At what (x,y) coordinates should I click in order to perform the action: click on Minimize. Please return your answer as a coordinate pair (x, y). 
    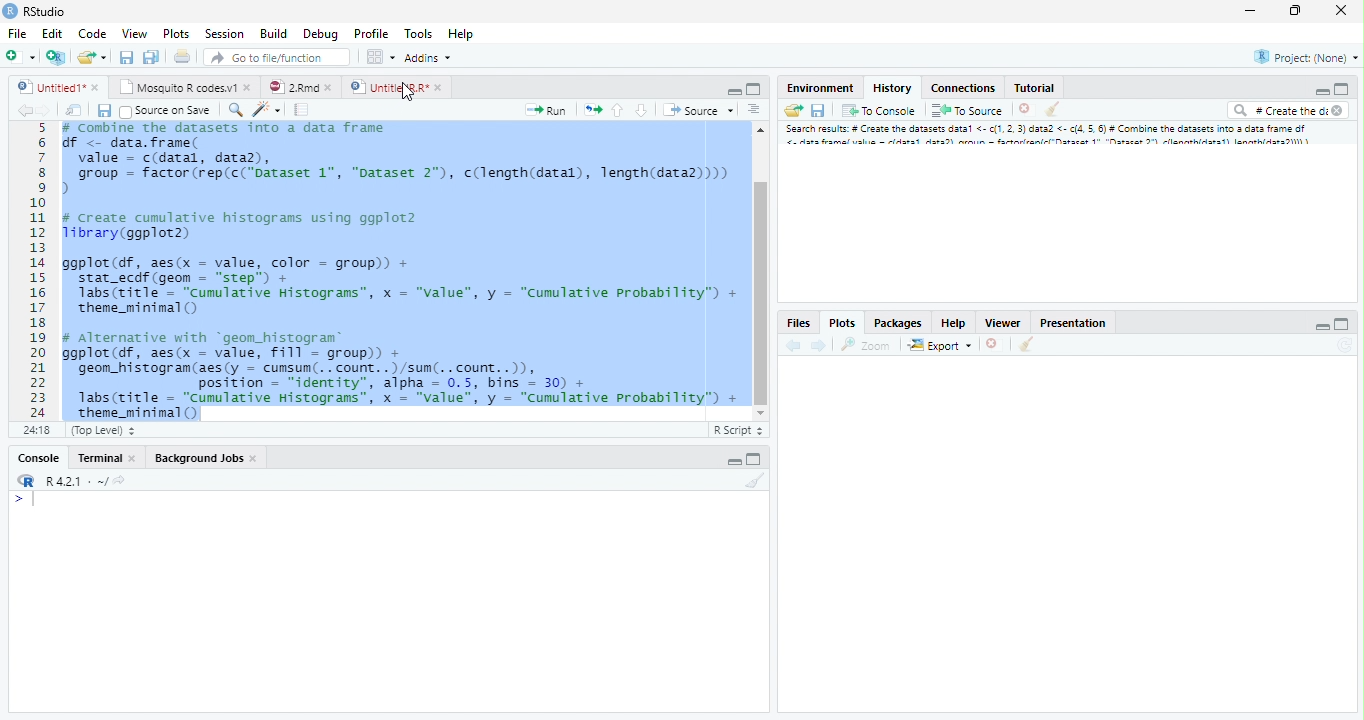
    Looking at the image, I should click on (1319, 325).